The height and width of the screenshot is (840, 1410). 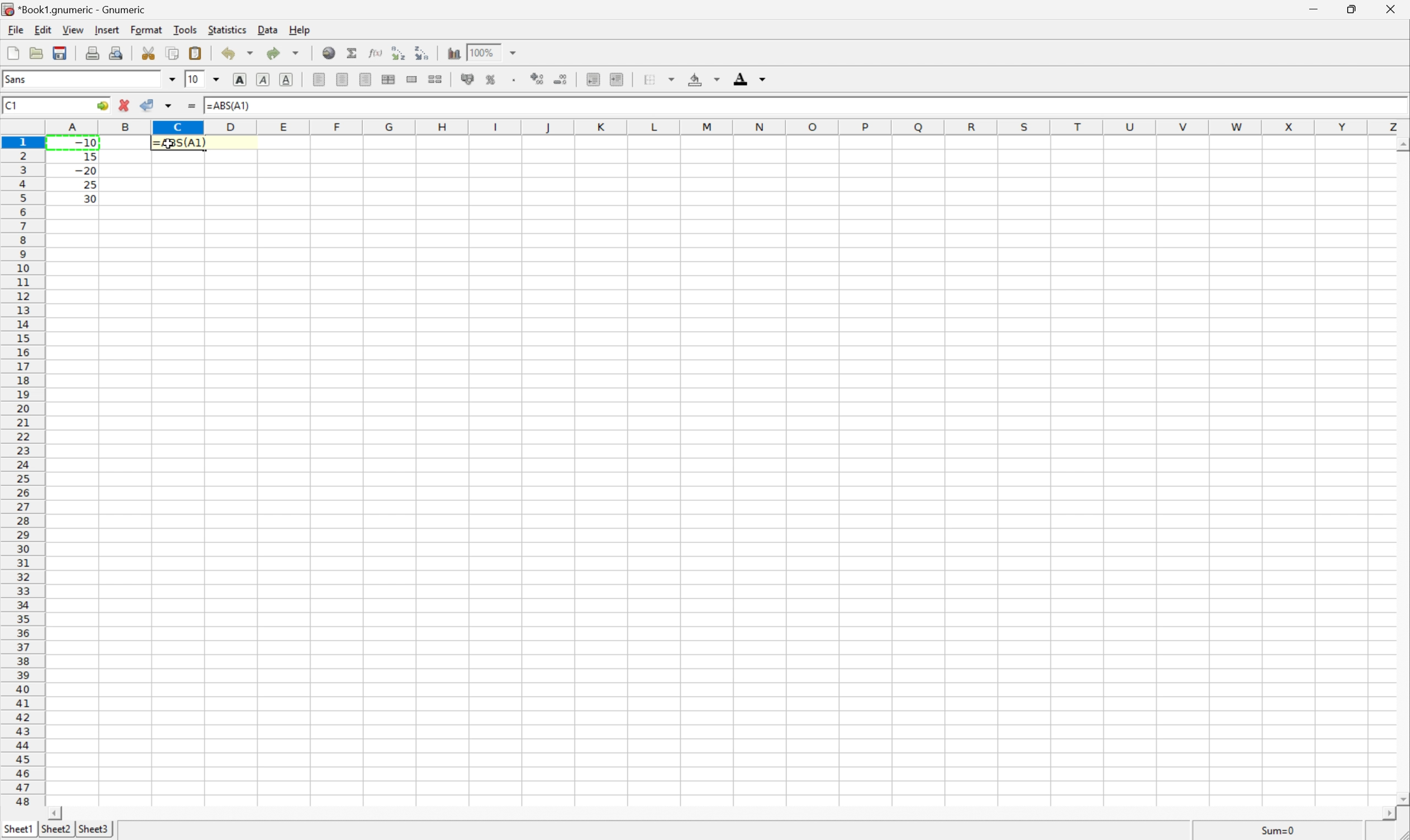 What do you see at coordinates (93, 829) in the screenshot?
I see `Shee3` at bounding box center [93, 829].